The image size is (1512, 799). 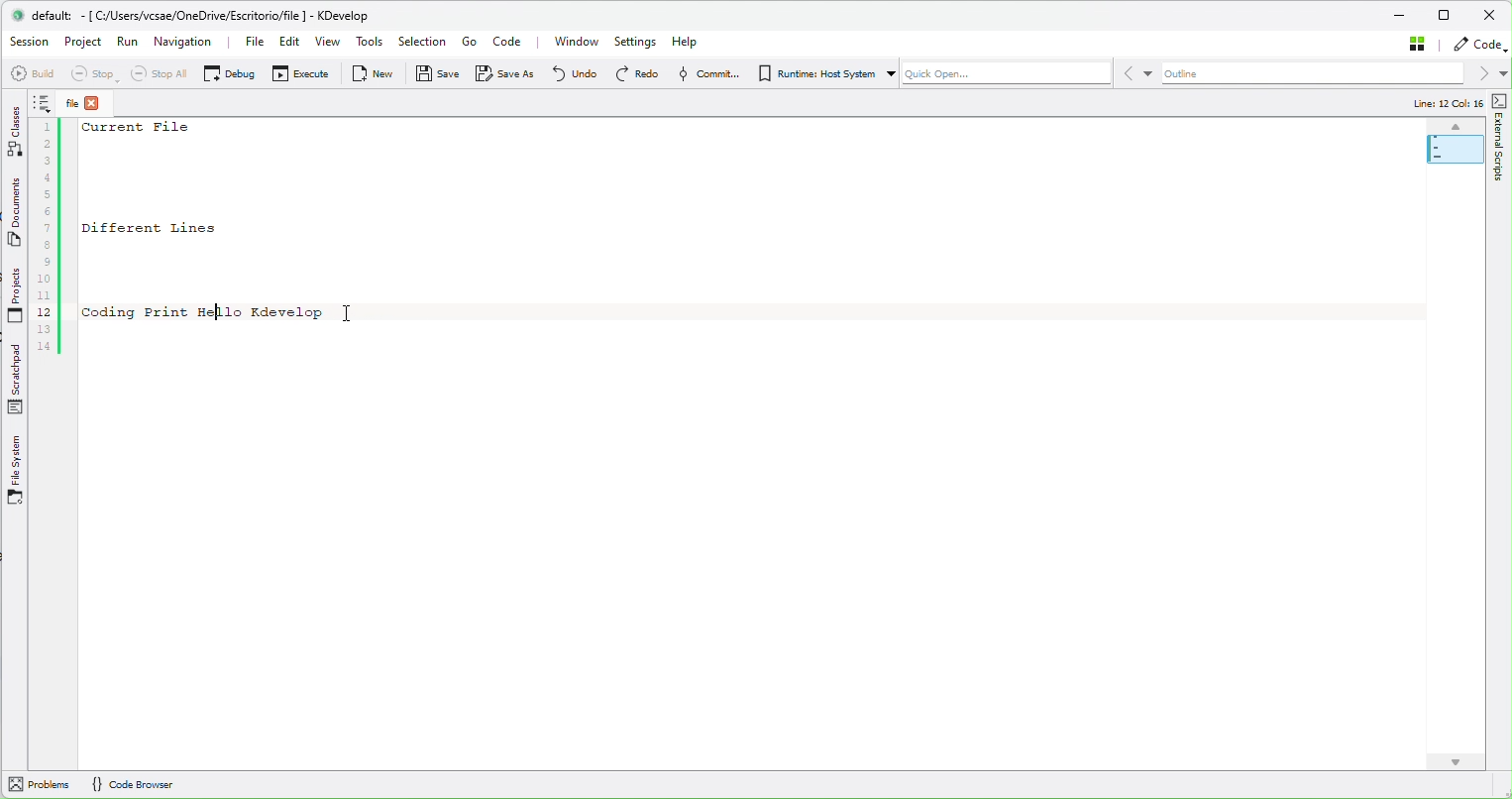 What do you see at coordinates (572, 44) in the screenshot?
I see `Window` at bounding box center [572, 44].